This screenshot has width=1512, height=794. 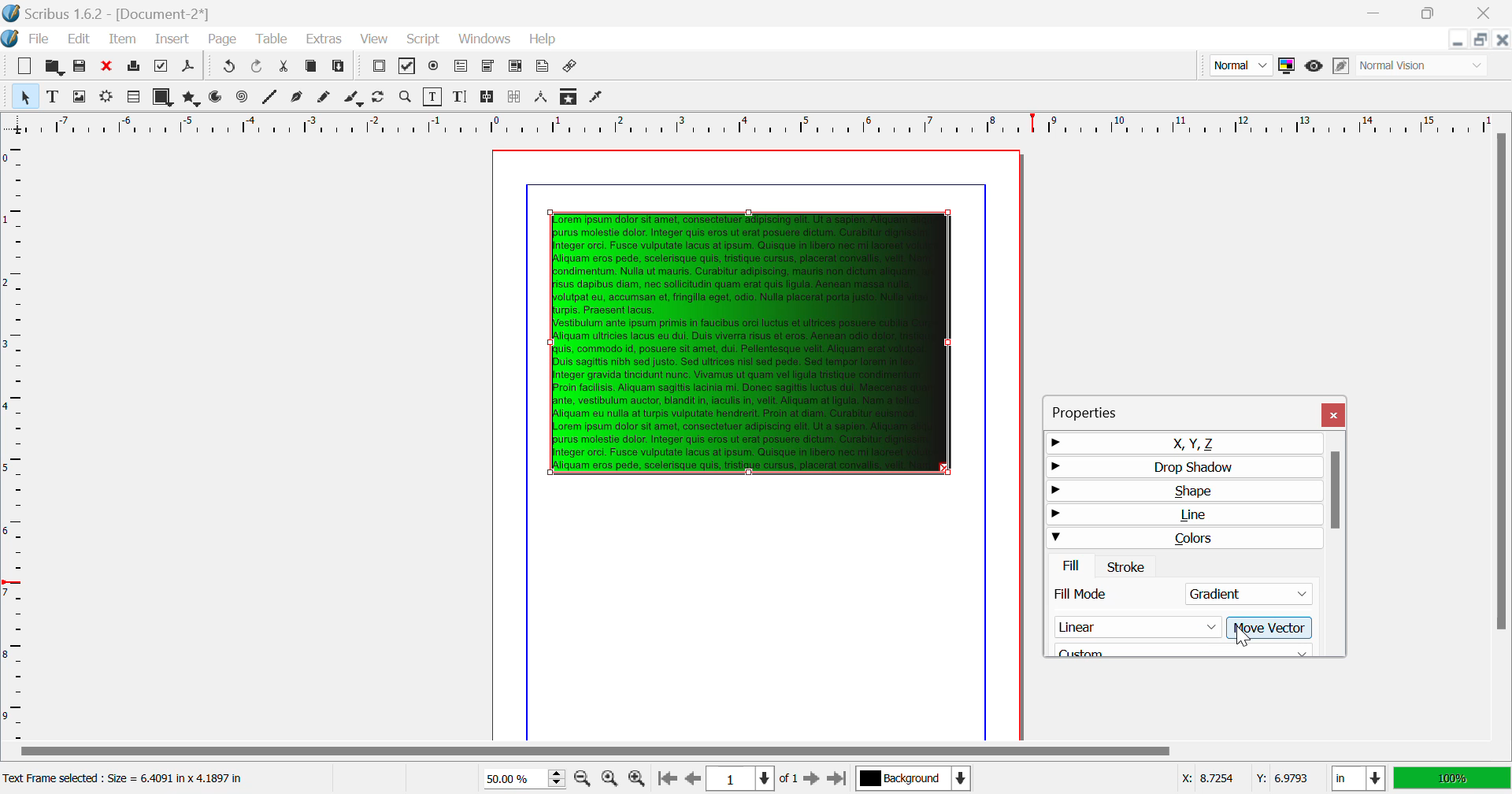 What do you see at coordinates (1488, 13) in the screenshot?
I see `Close` at bounding box center [1488, 13].